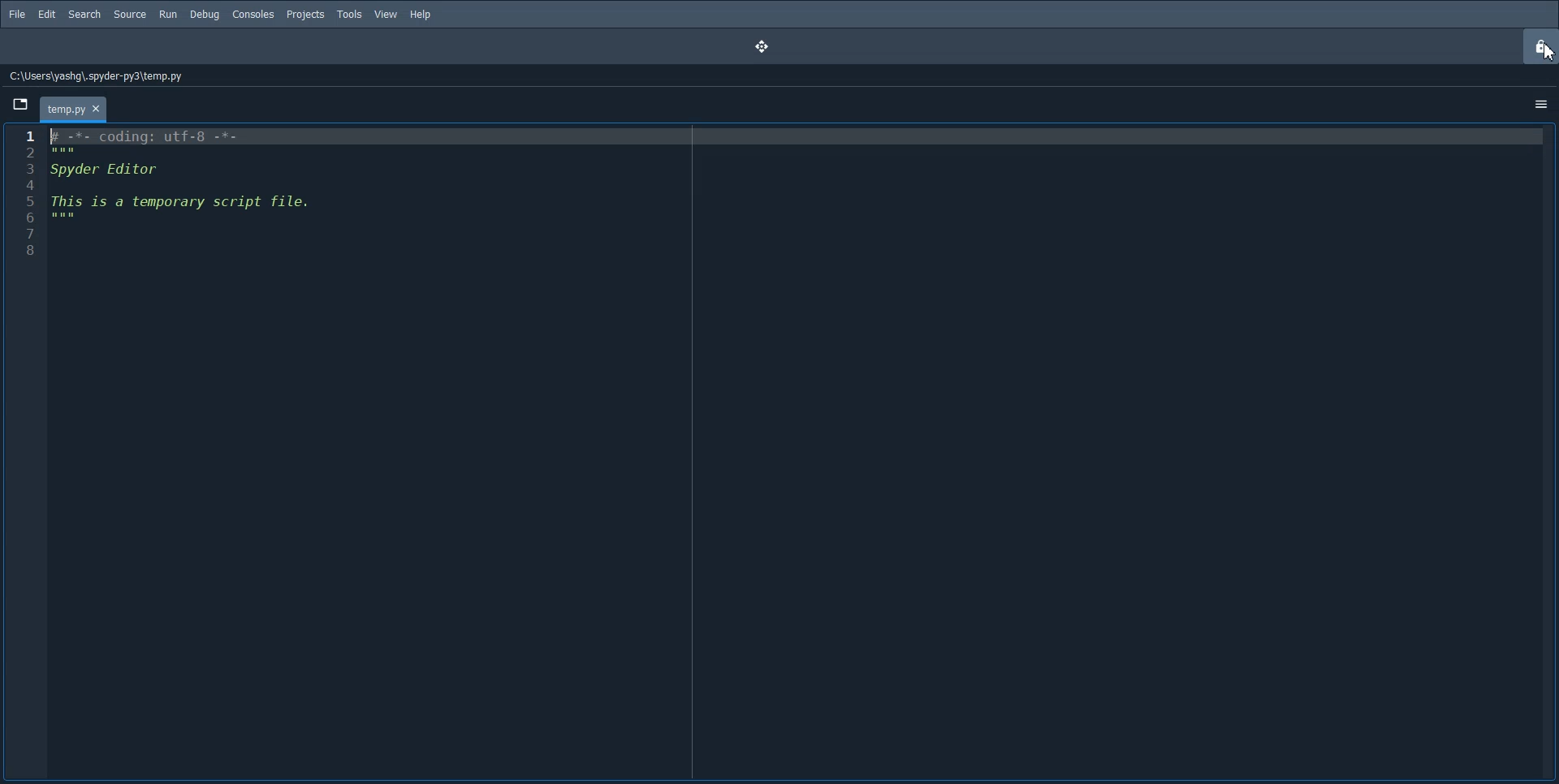 The width and height of the screenshot is (1559, 784). What do you see at coordinates (253, 14) in the screenshot?
I see `Consoles` at bounding box center [253, 14].